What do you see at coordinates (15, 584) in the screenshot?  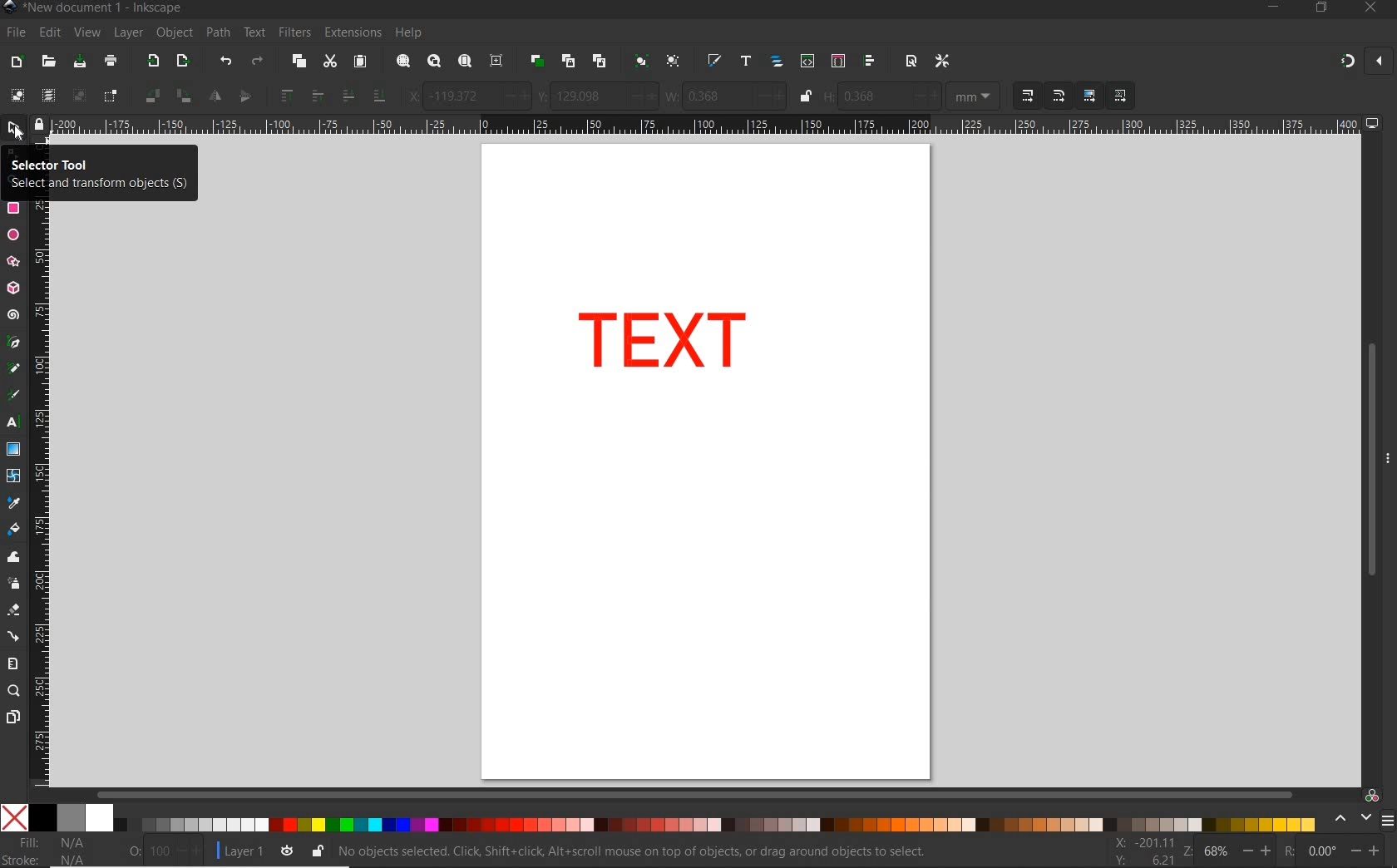 I see `SPRAY TOOL` at bounding box center [15, 584].